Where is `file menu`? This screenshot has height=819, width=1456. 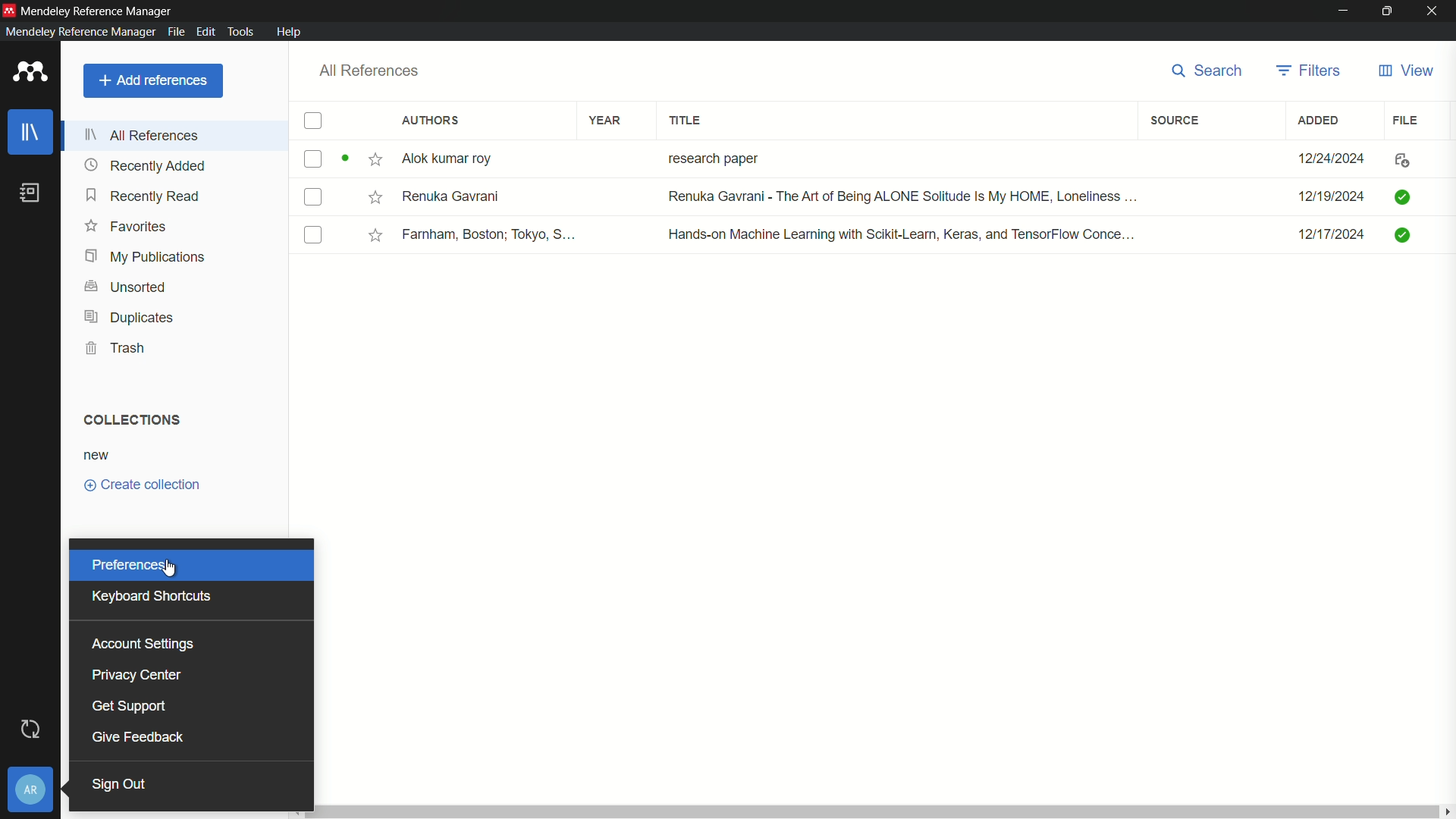 file menu is located at coordinates (174, 32).